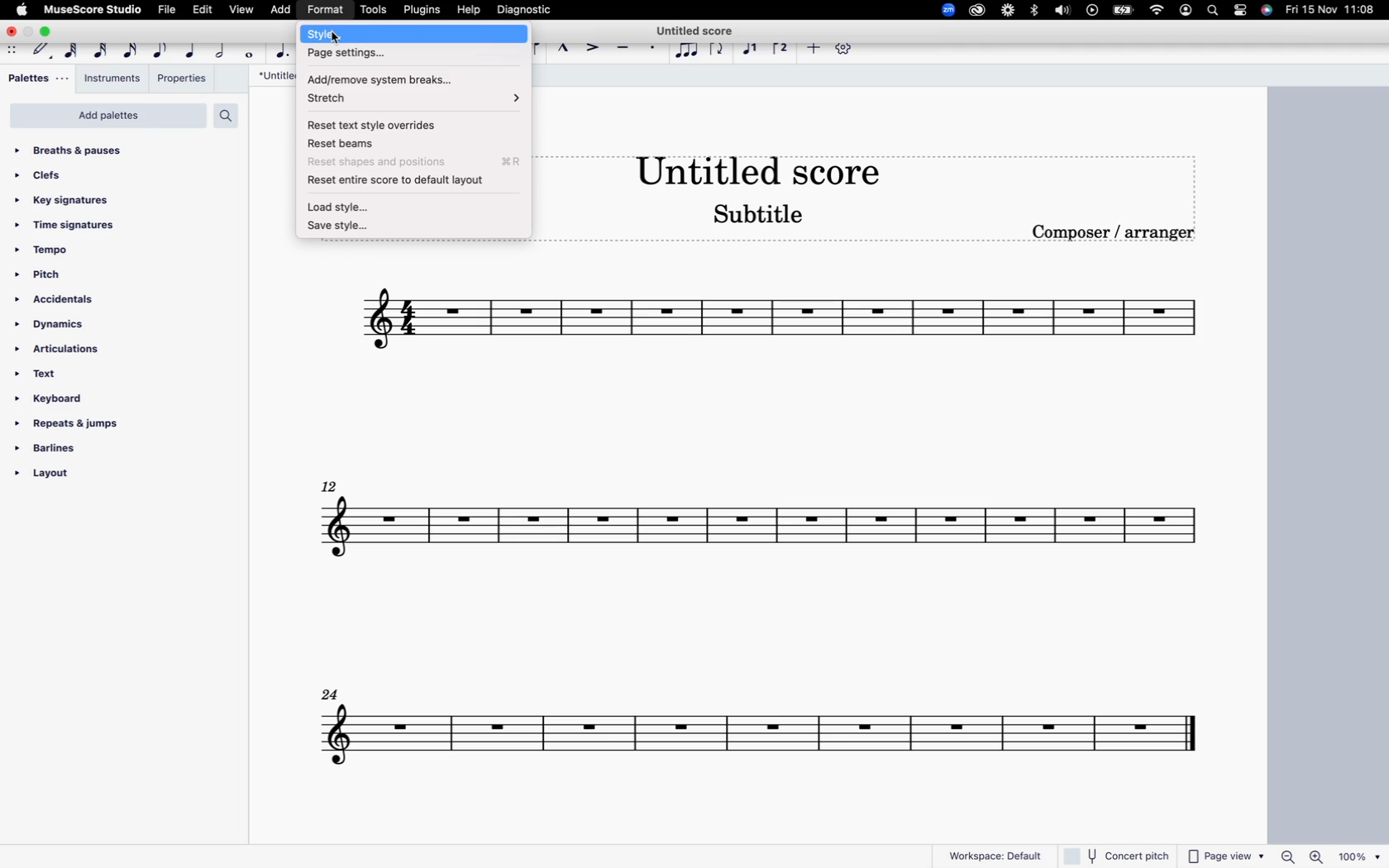 The width and height of the screenshot is (1389, 868). What do you see at coordinates (100, 50) in the screenshot?
I see `32nd note` at bounding box center [100, 50].